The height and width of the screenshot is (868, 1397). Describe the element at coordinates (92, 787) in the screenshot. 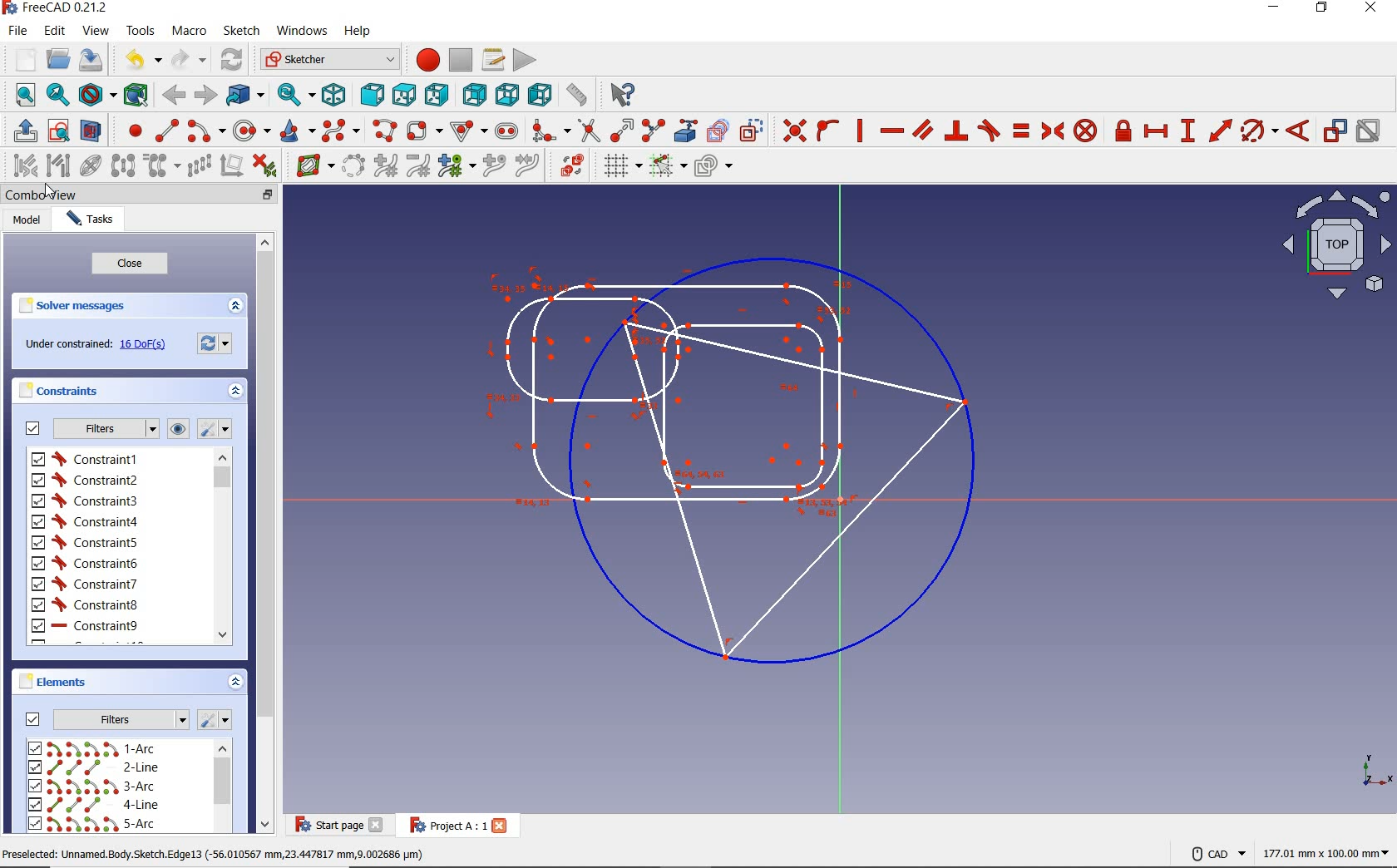

I see `3-arc` at that location.